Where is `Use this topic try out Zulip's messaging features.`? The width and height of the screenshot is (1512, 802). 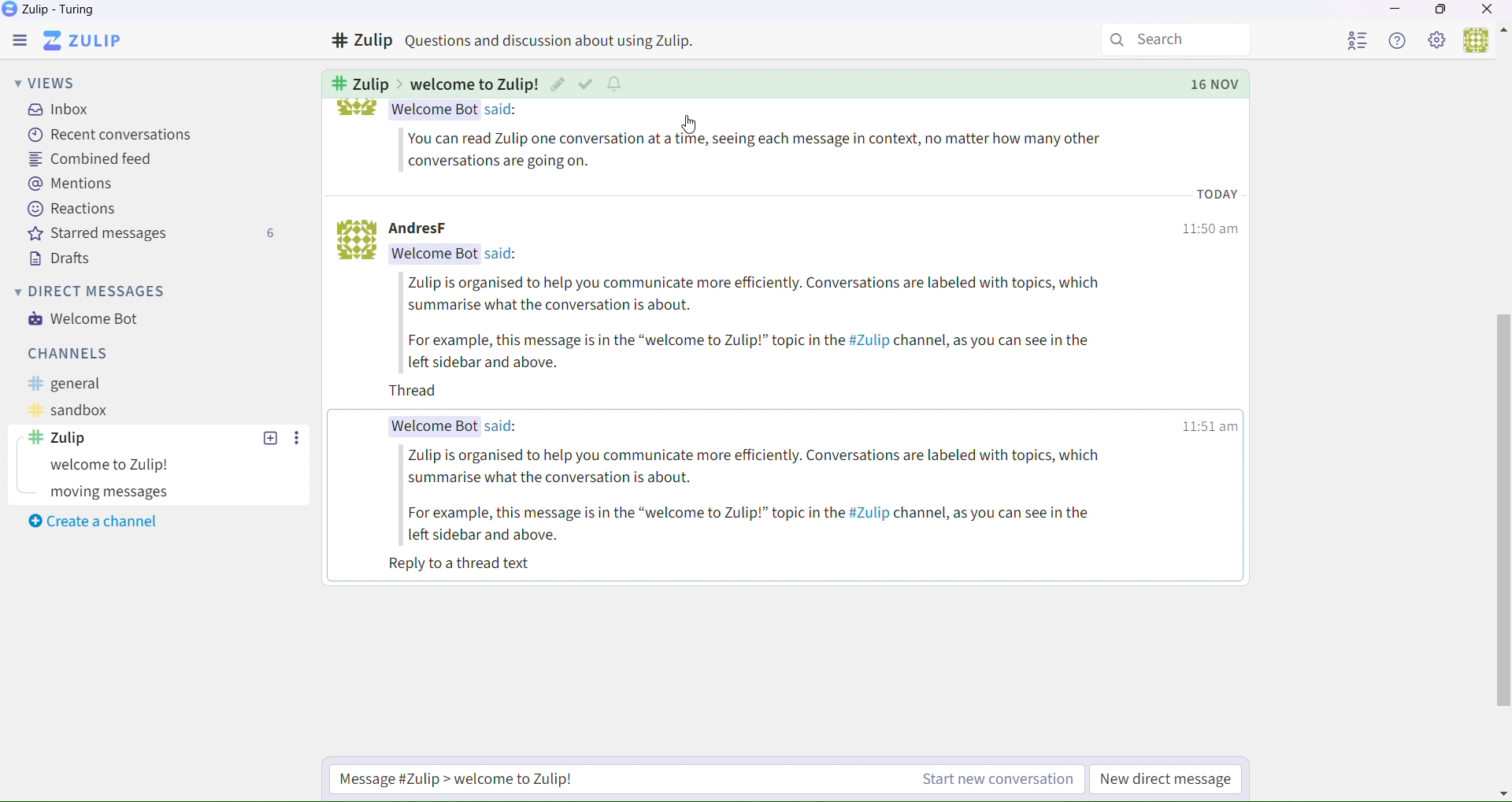
Use this topic try out Zulip's messaging features. is located at coordinates (750, 150).